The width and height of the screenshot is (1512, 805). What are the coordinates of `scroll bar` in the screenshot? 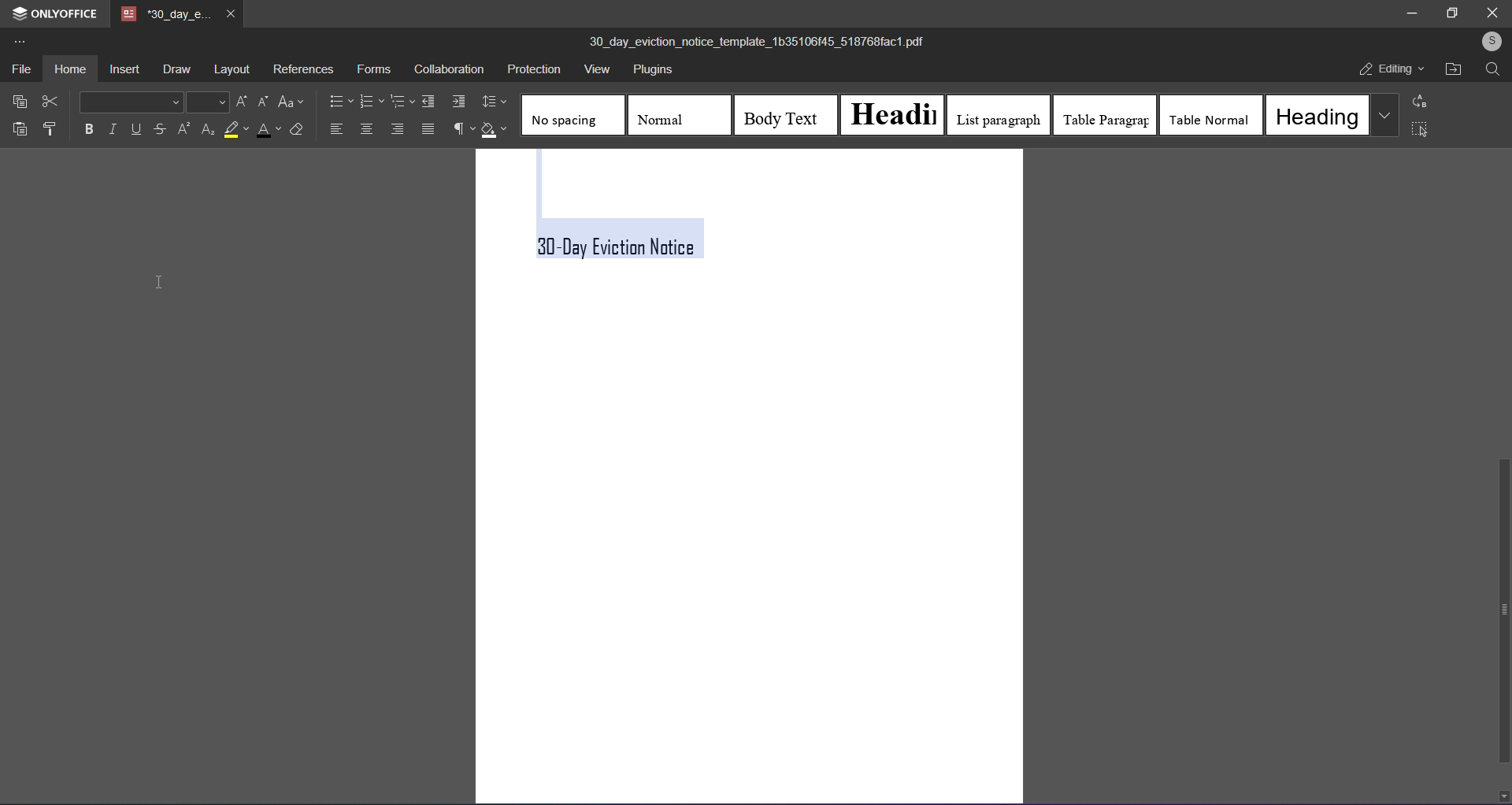 It's located at (1502, 611).